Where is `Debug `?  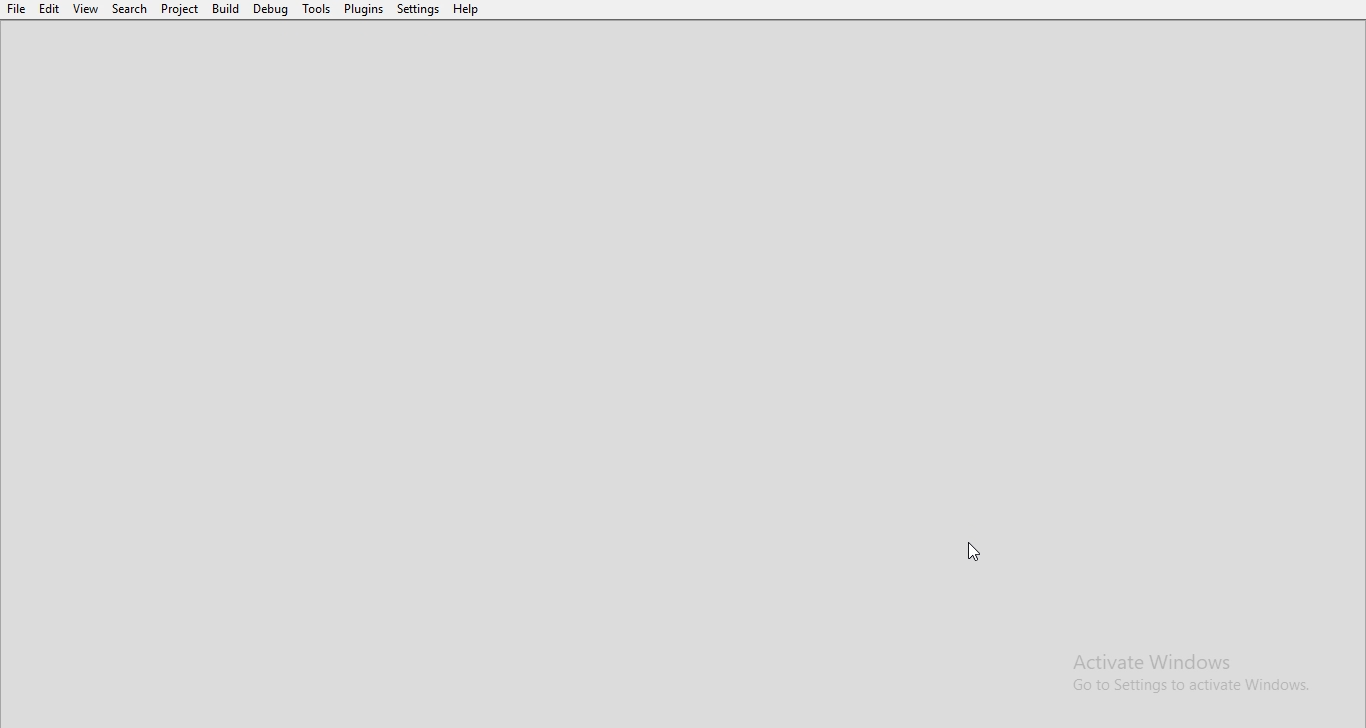 Debug  is located at coordinates (270, 9).